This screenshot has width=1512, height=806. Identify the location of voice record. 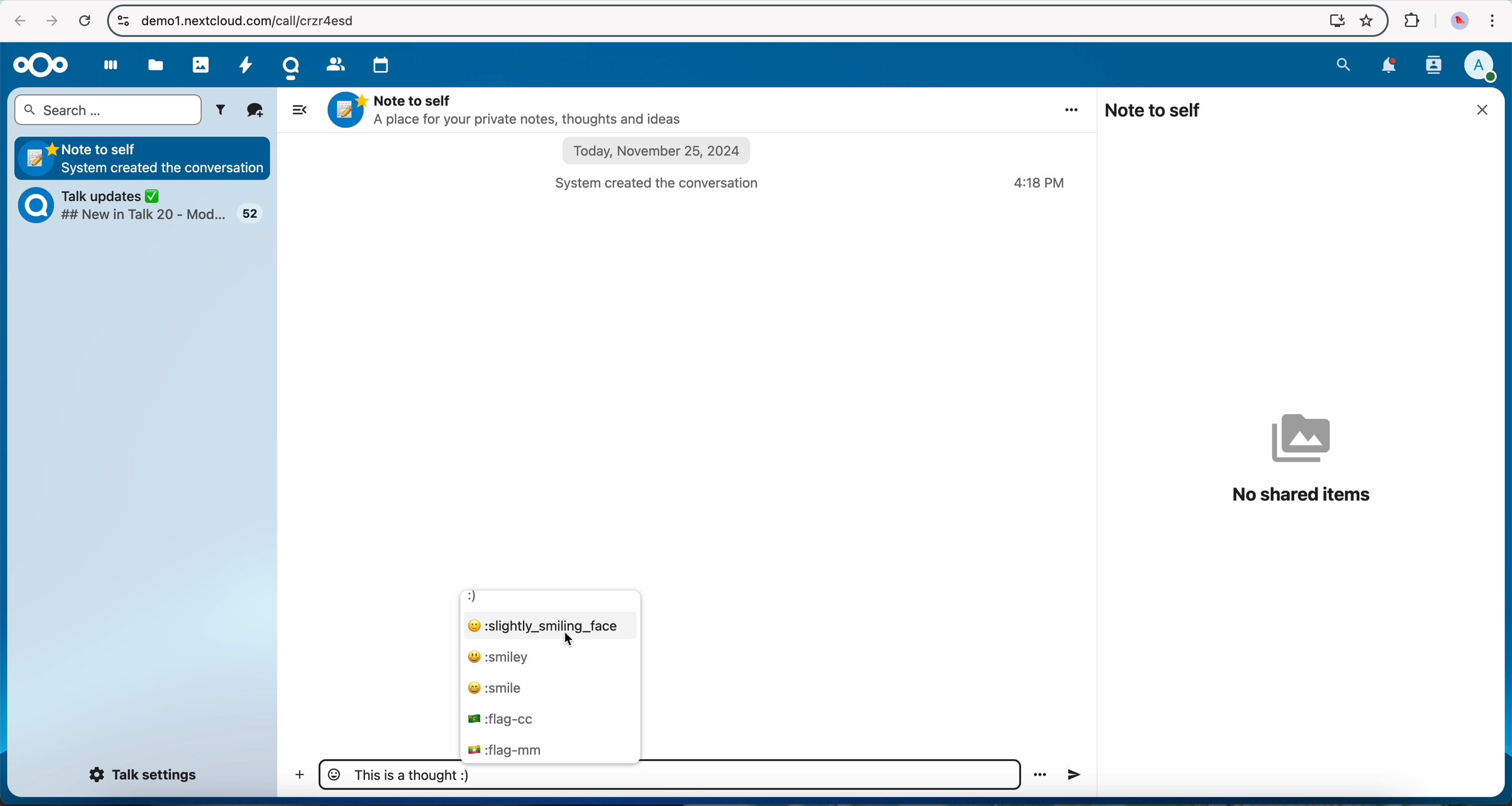
(1077, 774).